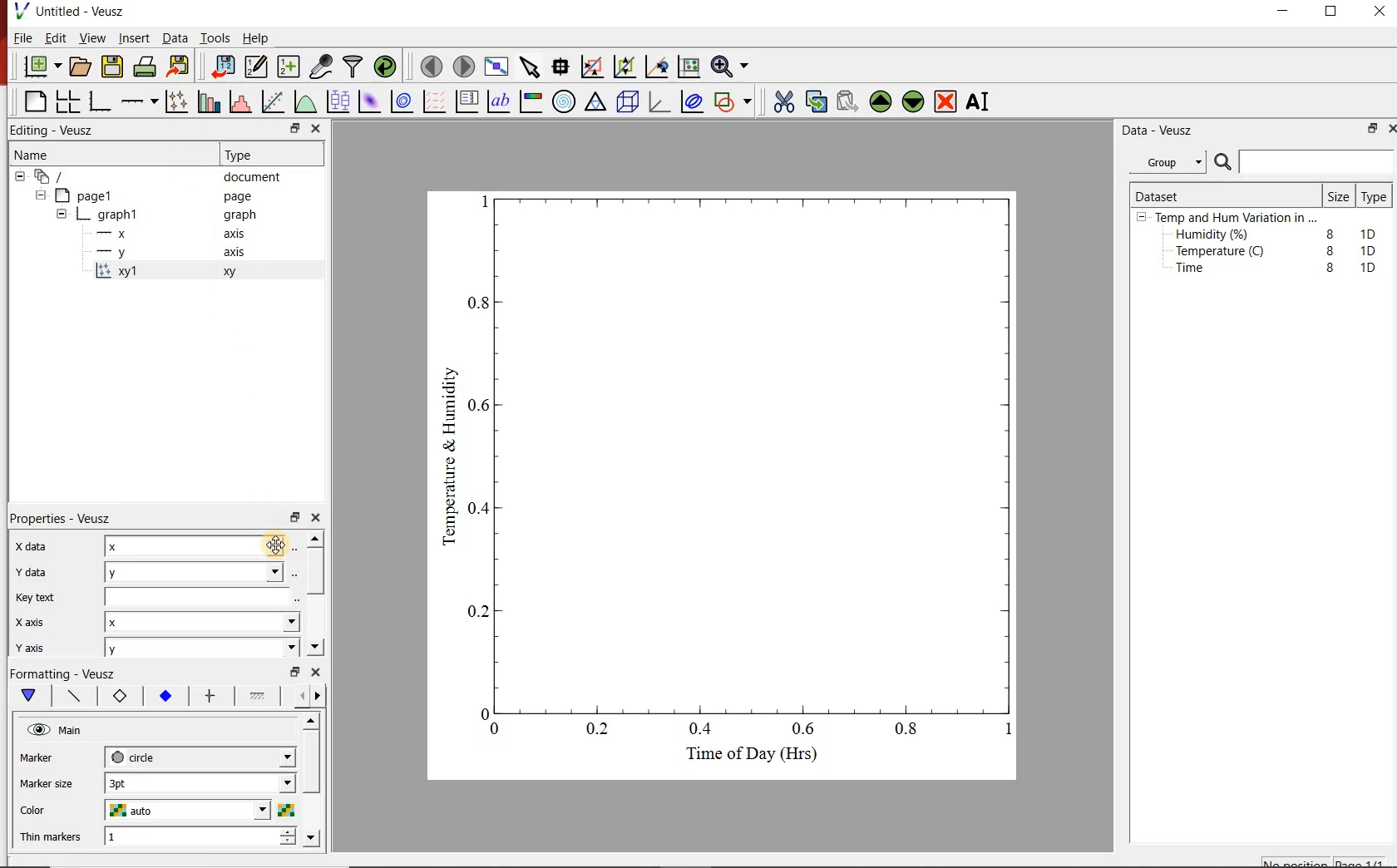 The height and width of the screenshot is (868, 1397). Describe the element at coordinates (600, 730) in the screenshot. I see `0.2` at that location.